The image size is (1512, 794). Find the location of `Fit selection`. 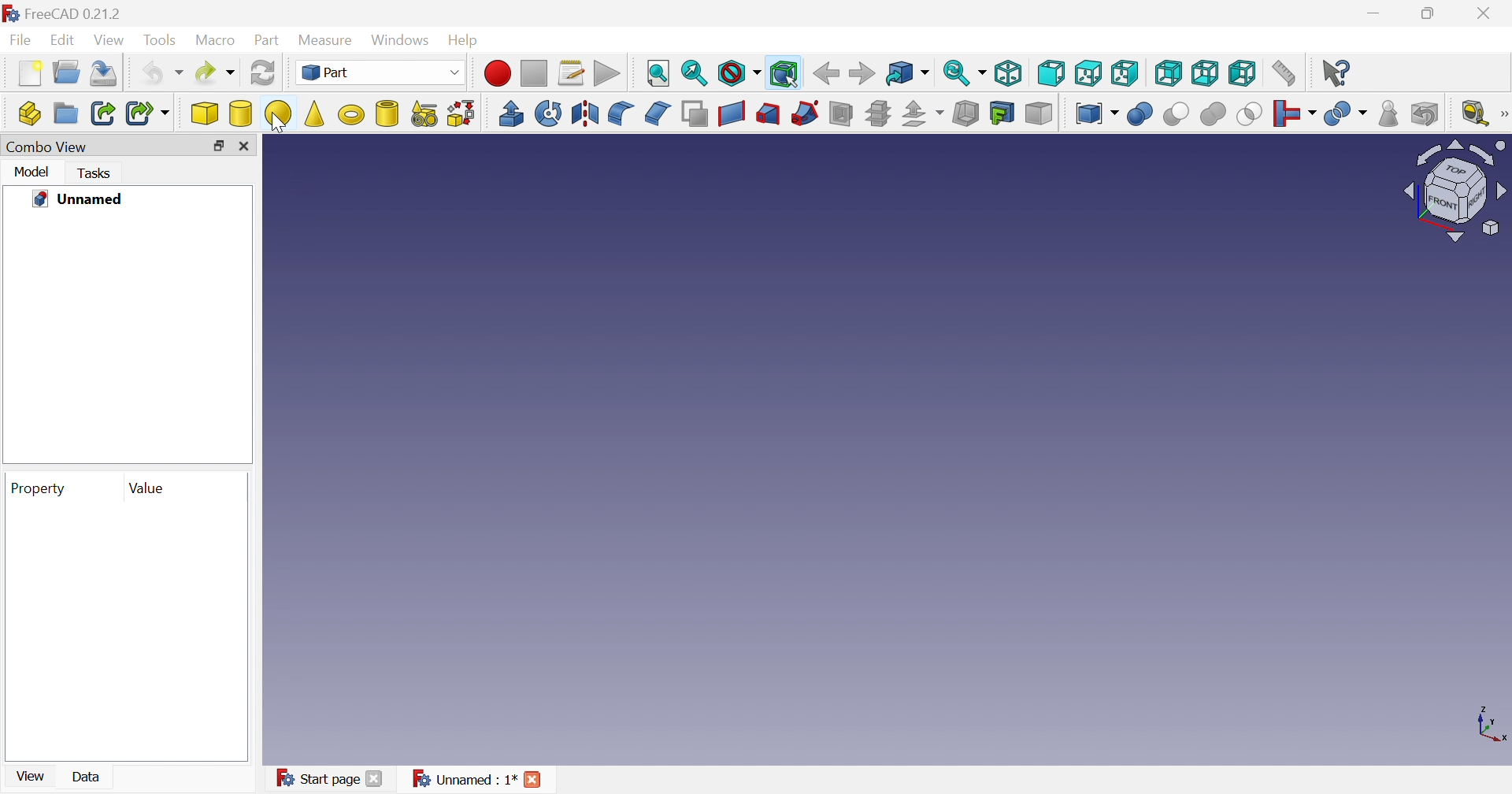

Fit selection is located at coordinates (694, 74).